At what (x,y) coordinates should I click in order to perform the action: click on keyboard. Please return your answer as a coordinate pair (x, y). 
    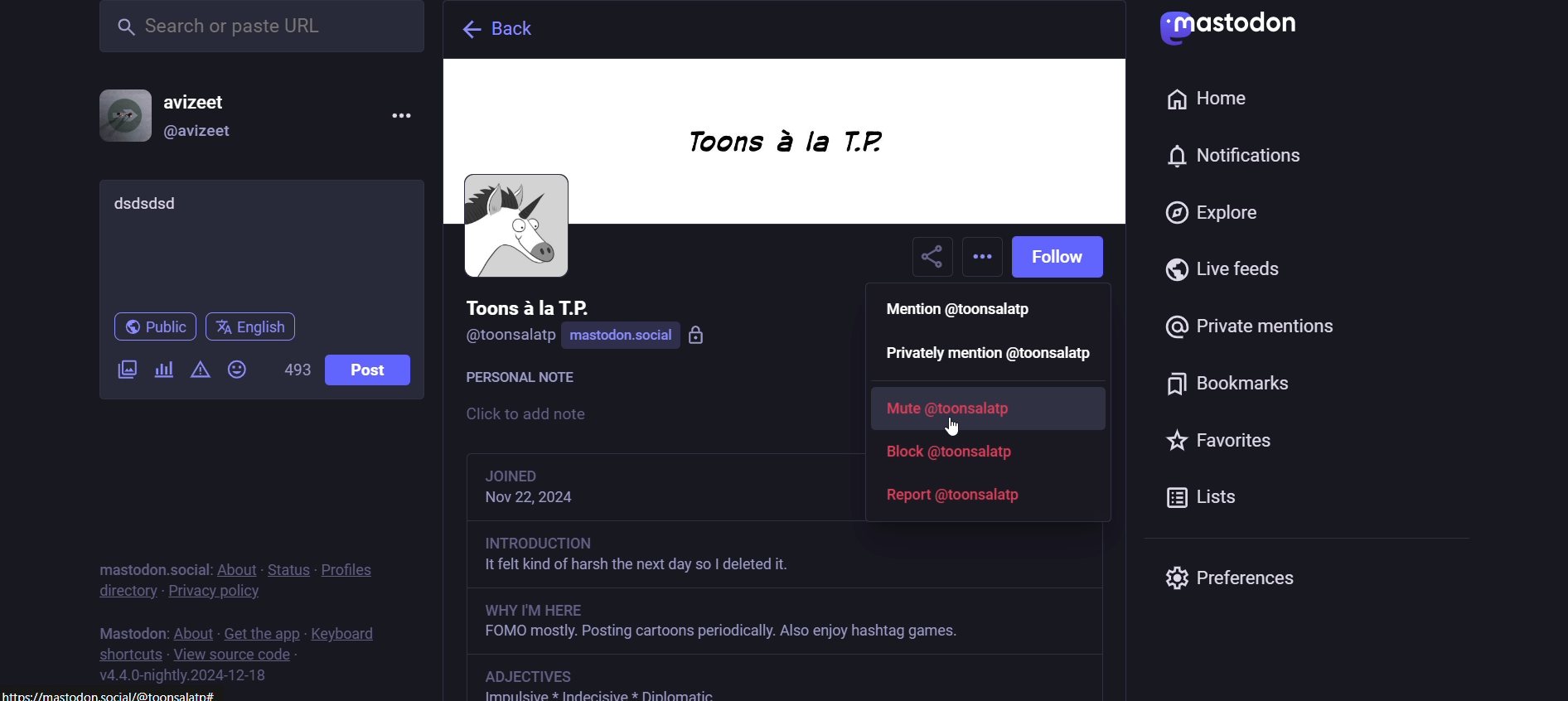
    Looking at the image, I should click on (353, 632).